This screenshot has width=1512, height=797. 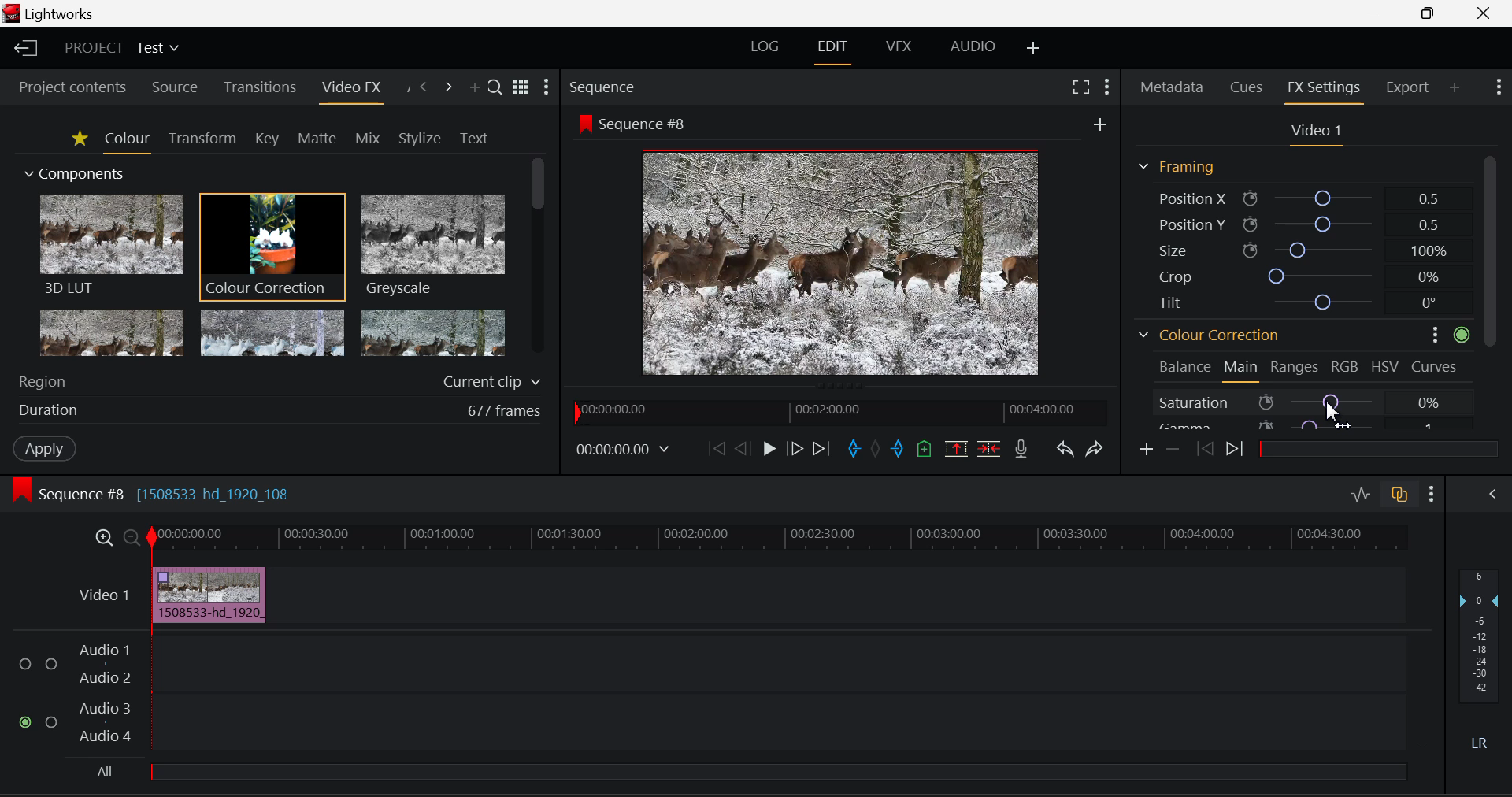 What do you see at coordinates (270, 332) in the screenshot?
I see `Mosaic` at bounding box center [270, 332].